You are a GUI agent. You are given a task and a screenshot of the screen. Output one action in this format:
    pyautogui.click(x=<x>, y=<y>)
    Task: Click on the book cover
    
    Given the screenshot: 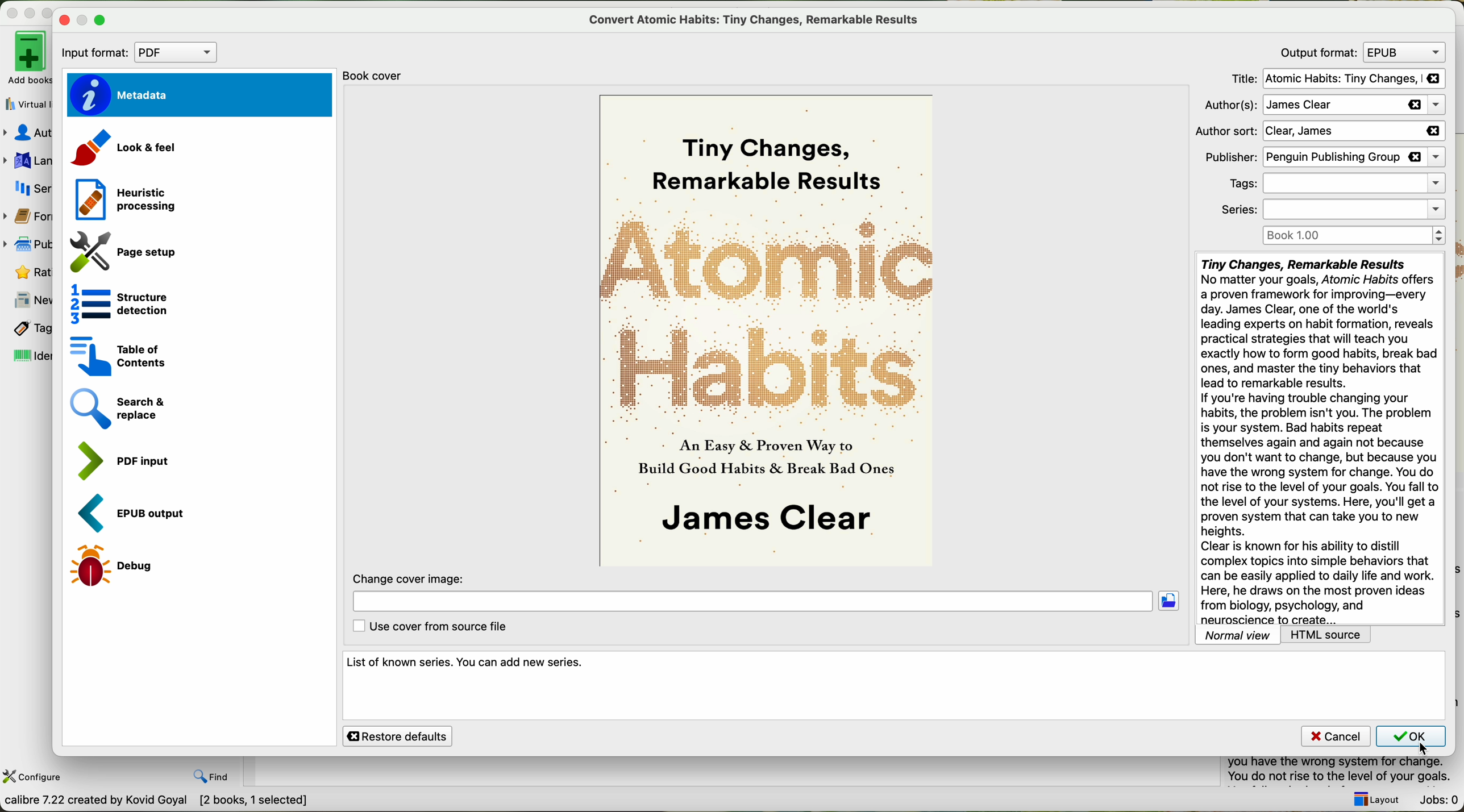 What is the action you would take?
    pyautogui.click(x=768, y=331)
    